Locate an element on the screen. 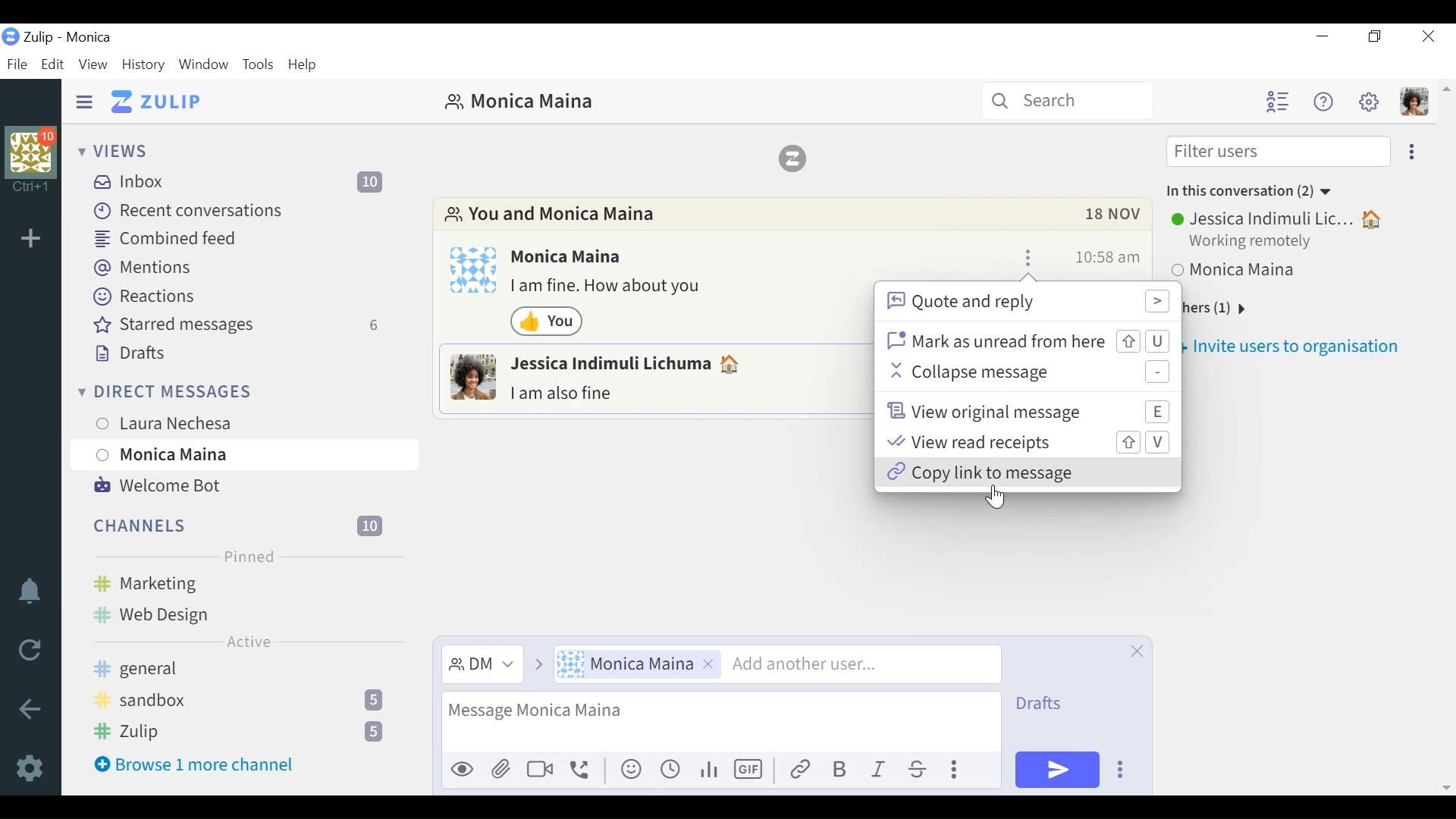  Ellipsis is located at coordinates (1410, 152).